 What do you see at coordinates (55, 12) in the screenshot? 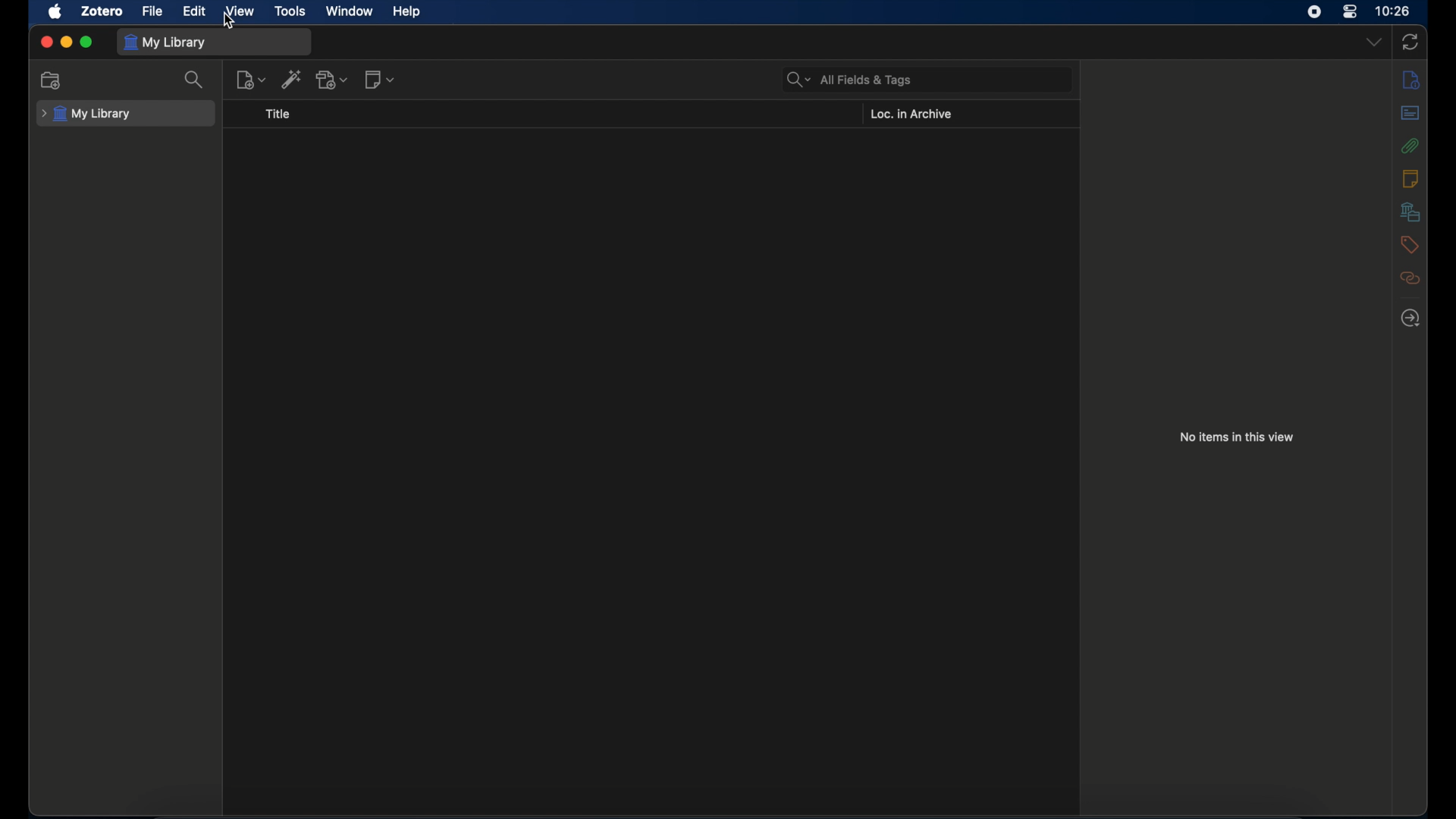
I see `apple` at bounding box center [55, 12].